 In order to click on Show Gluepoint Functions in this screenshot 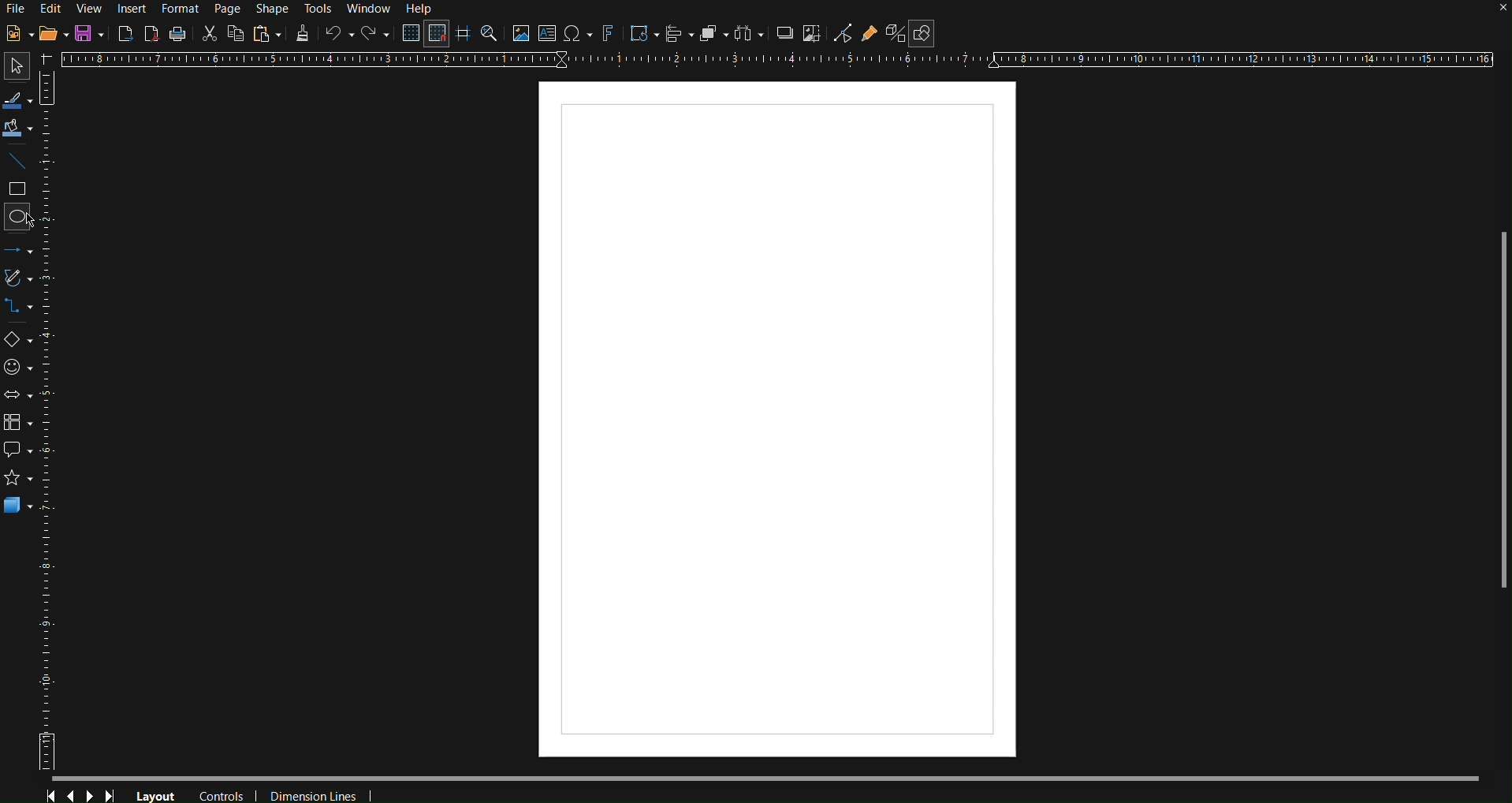, I will do `click(870, 35)`.